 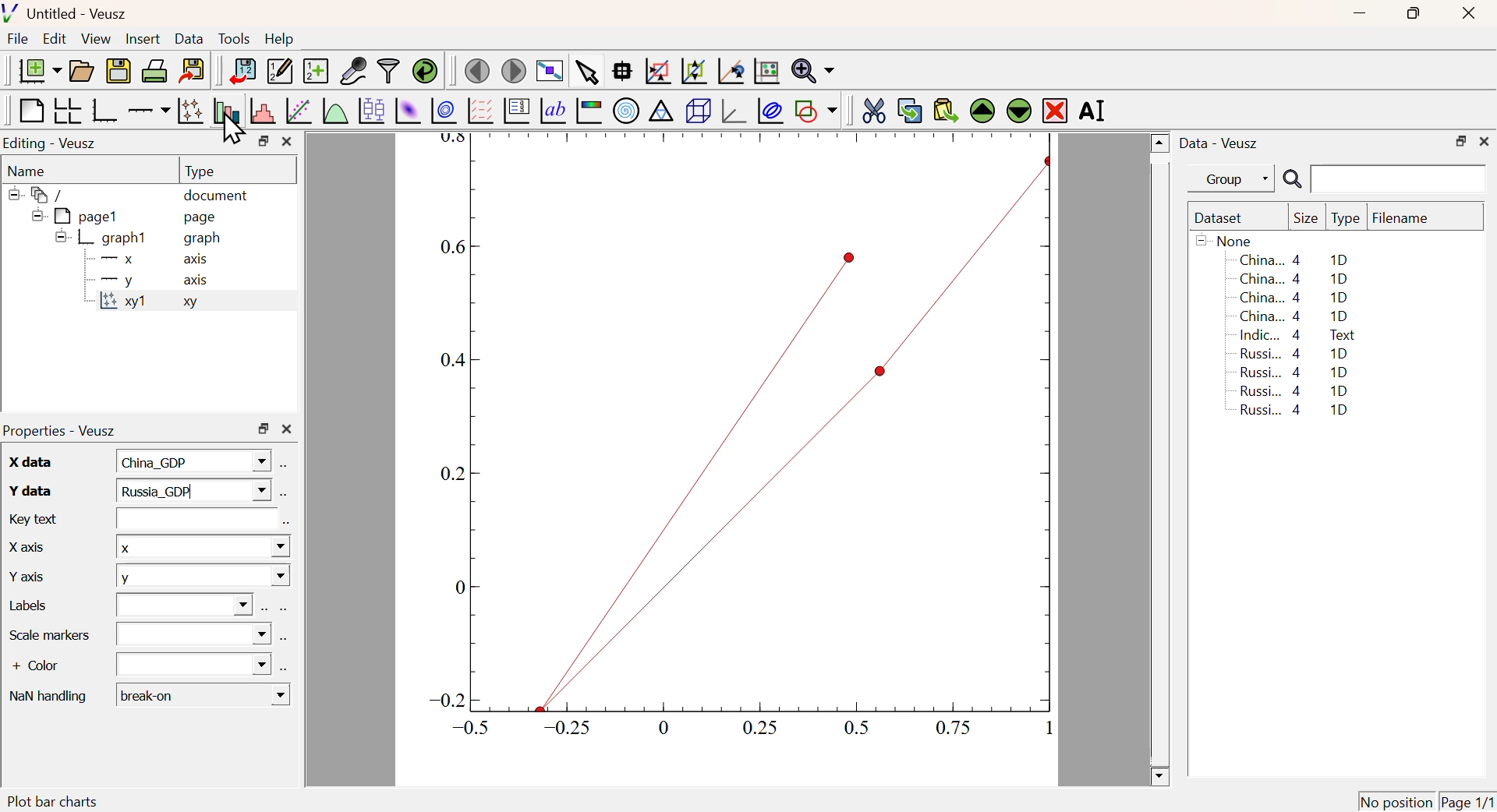 What do you see at coordinates (627, 110) in the screenshot?
I see `Polar Graph` at bounding box center [627, 110].